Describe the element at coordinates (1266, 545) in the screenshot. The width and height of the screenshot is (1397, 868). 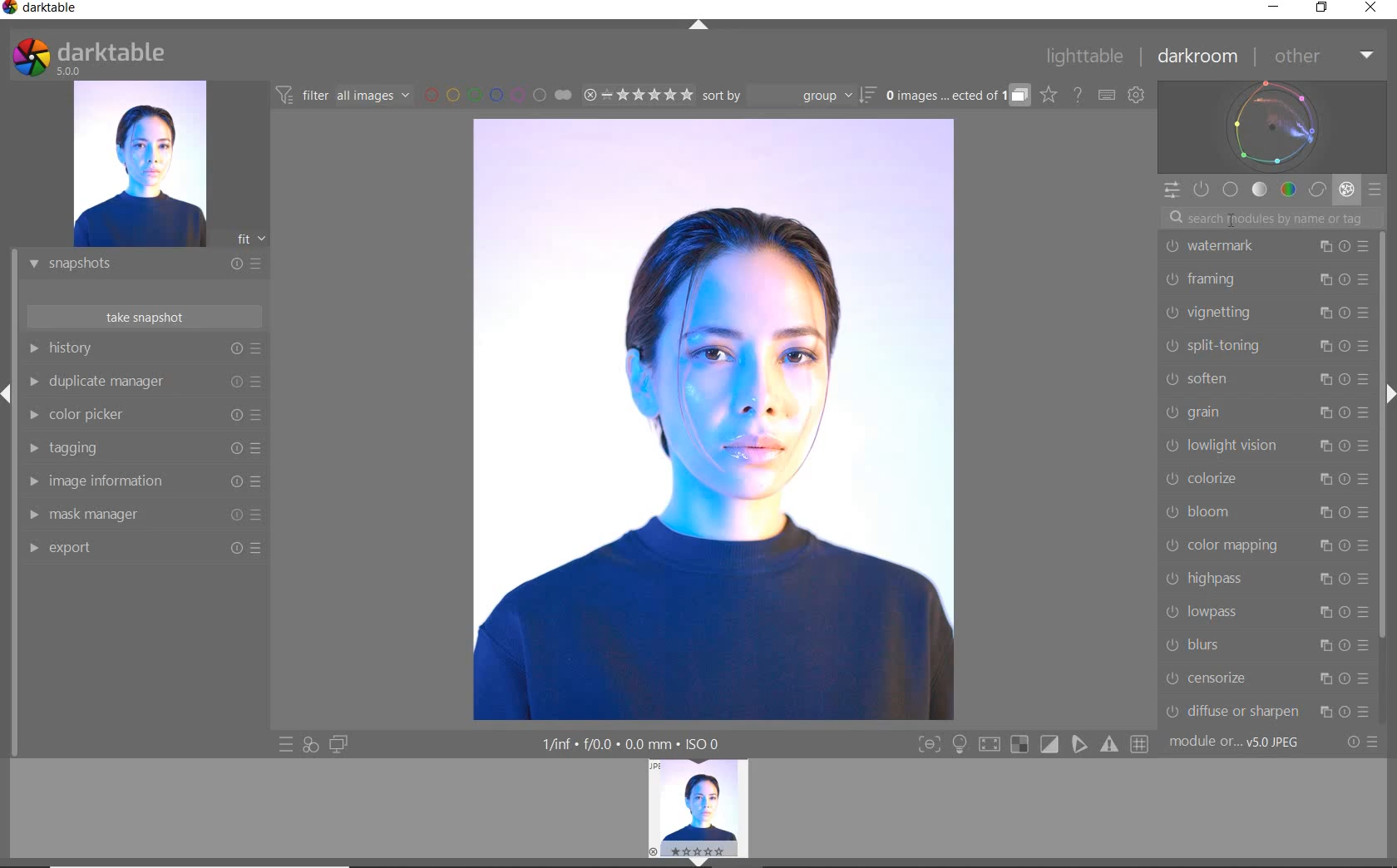
I see `COLOR MAPPING` at that location.